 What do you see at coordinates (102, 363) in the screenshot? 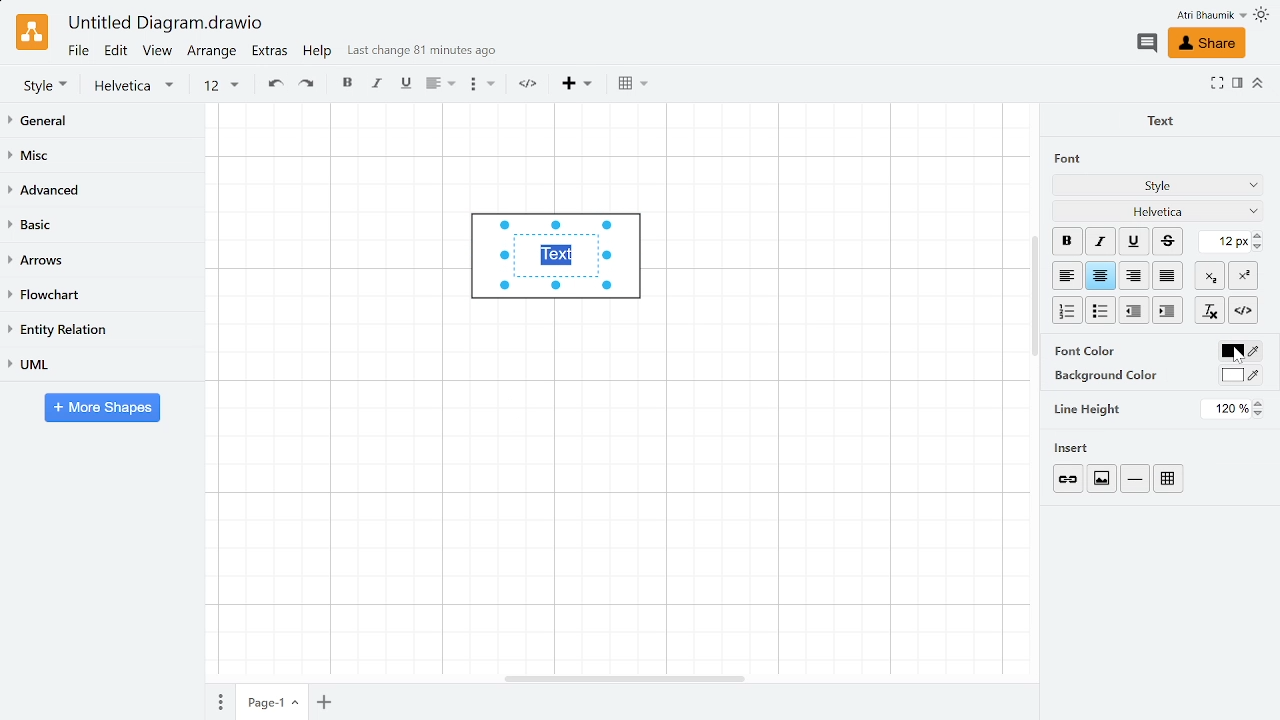
I see `UML` at bounding box center [102, 363].